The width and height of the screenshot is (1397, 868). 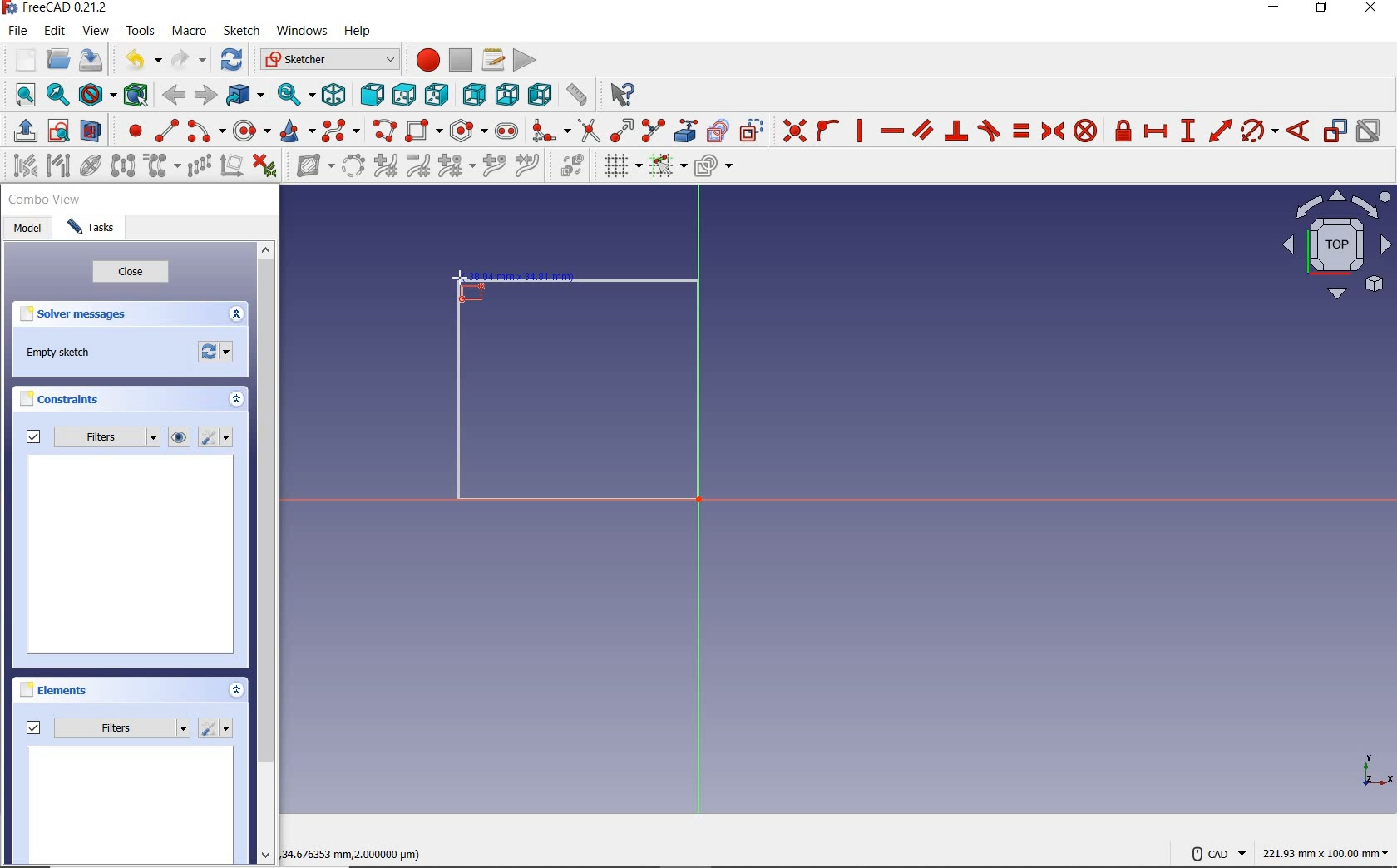 What do you see at coordinates (219, 437) in the screenshot?
I see `settings` at bounding box center [219, 437].